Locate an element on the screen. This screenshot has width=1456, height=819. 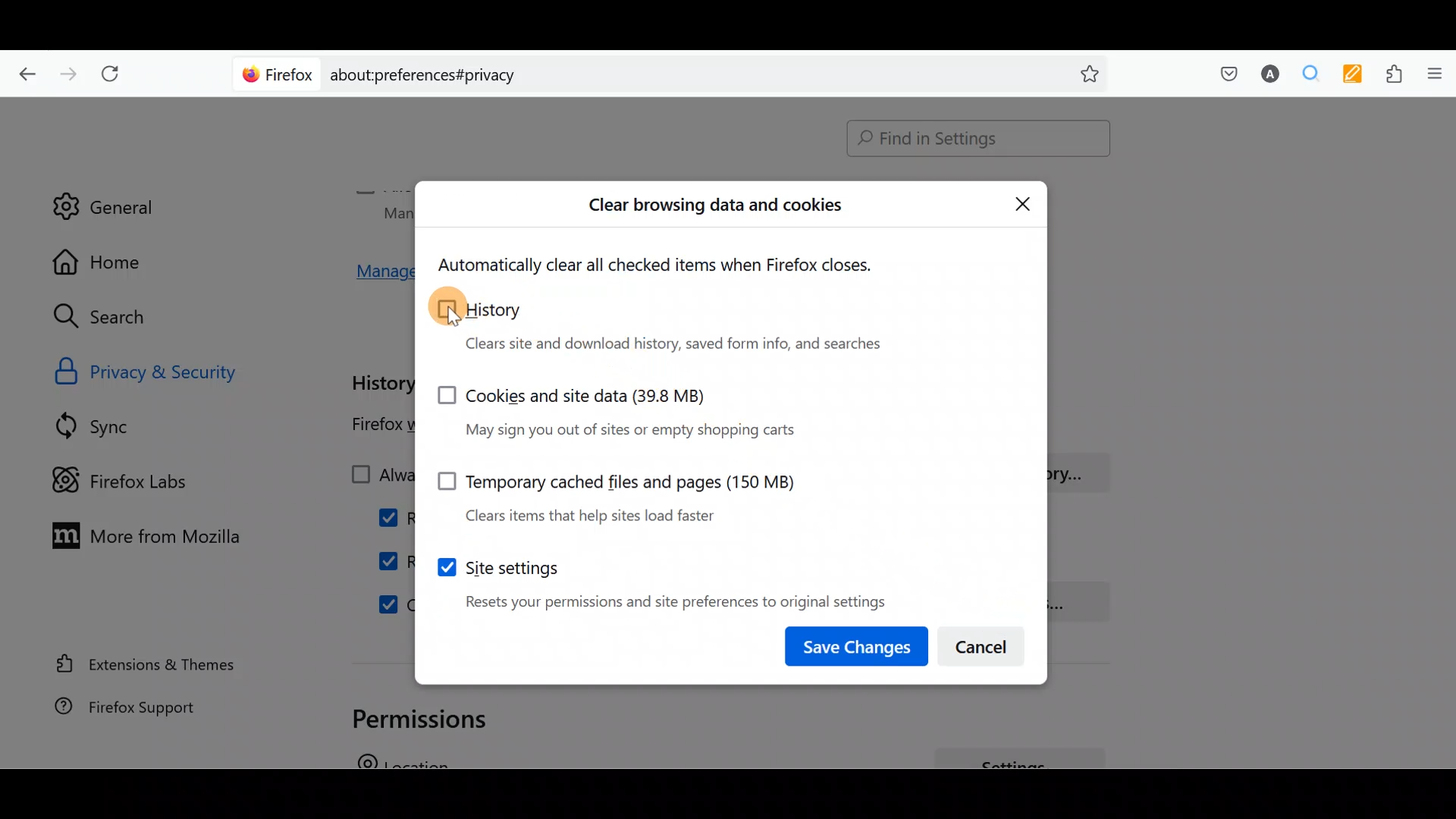
Account name is located at coordinates (1266, 76).